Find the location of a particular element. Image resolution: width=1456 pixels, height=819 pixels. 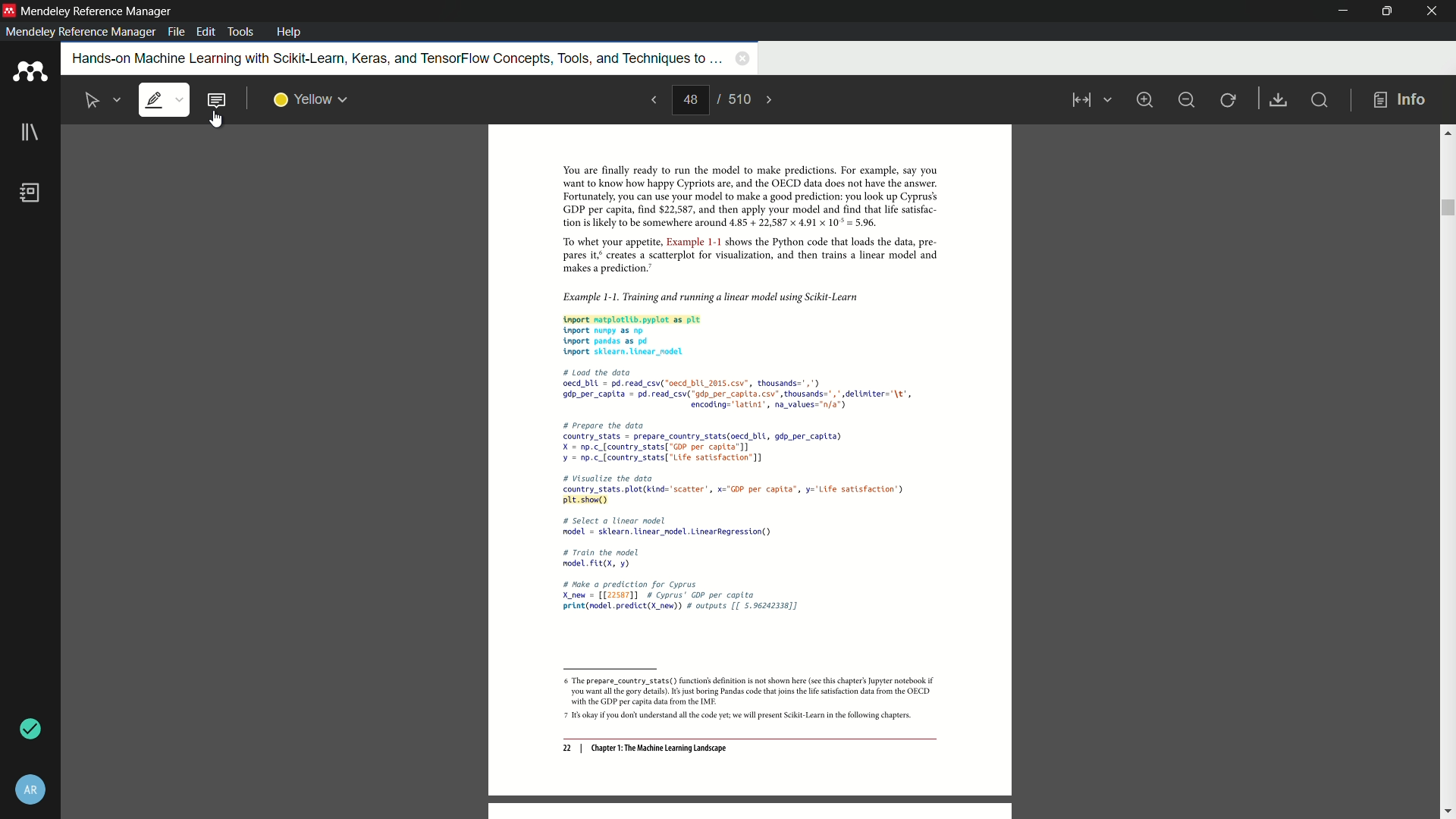

info is located at coordinates (1400, 101).